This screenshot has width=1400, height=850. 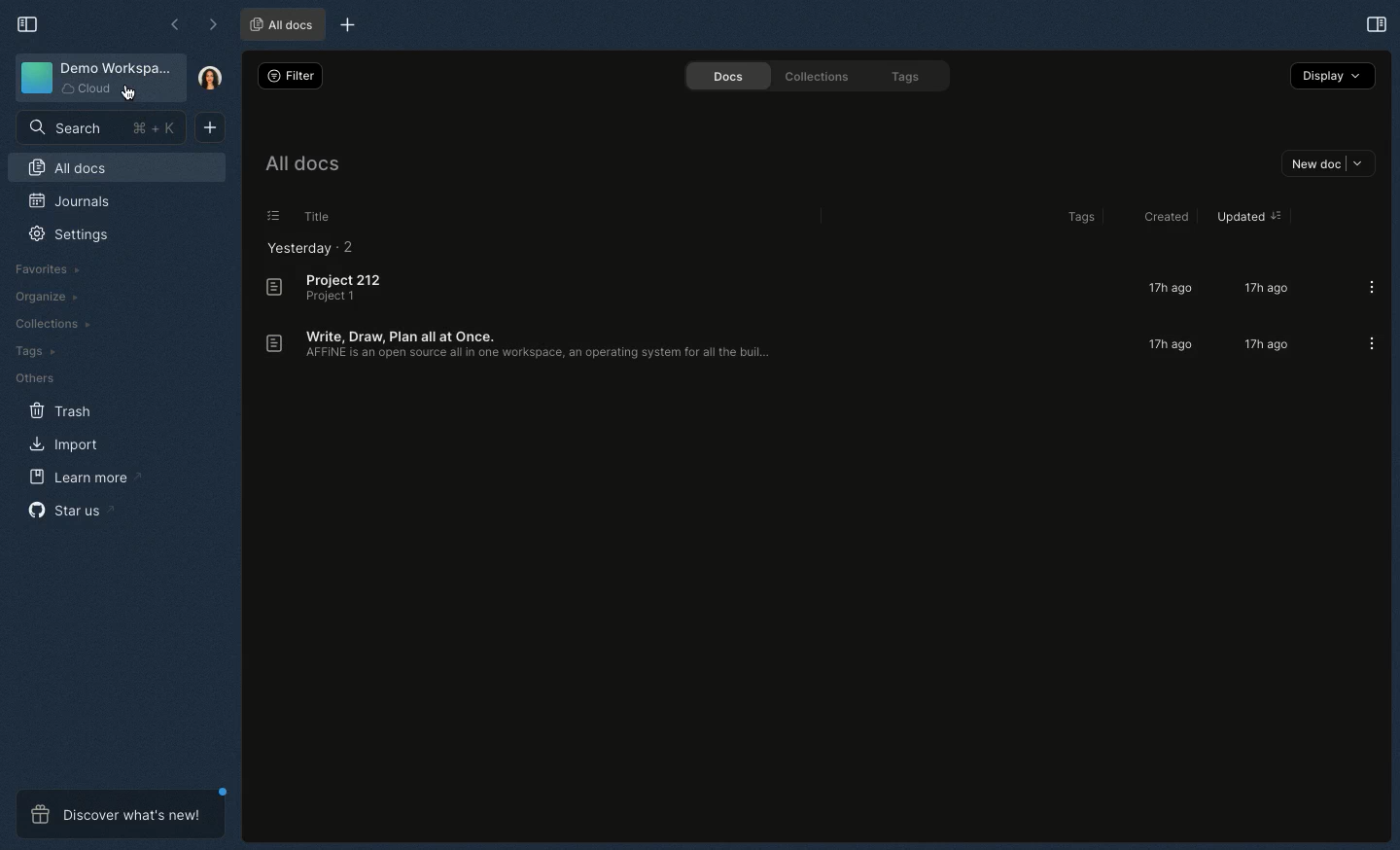 I want to click on 2 items, so click(x=357, y=248).